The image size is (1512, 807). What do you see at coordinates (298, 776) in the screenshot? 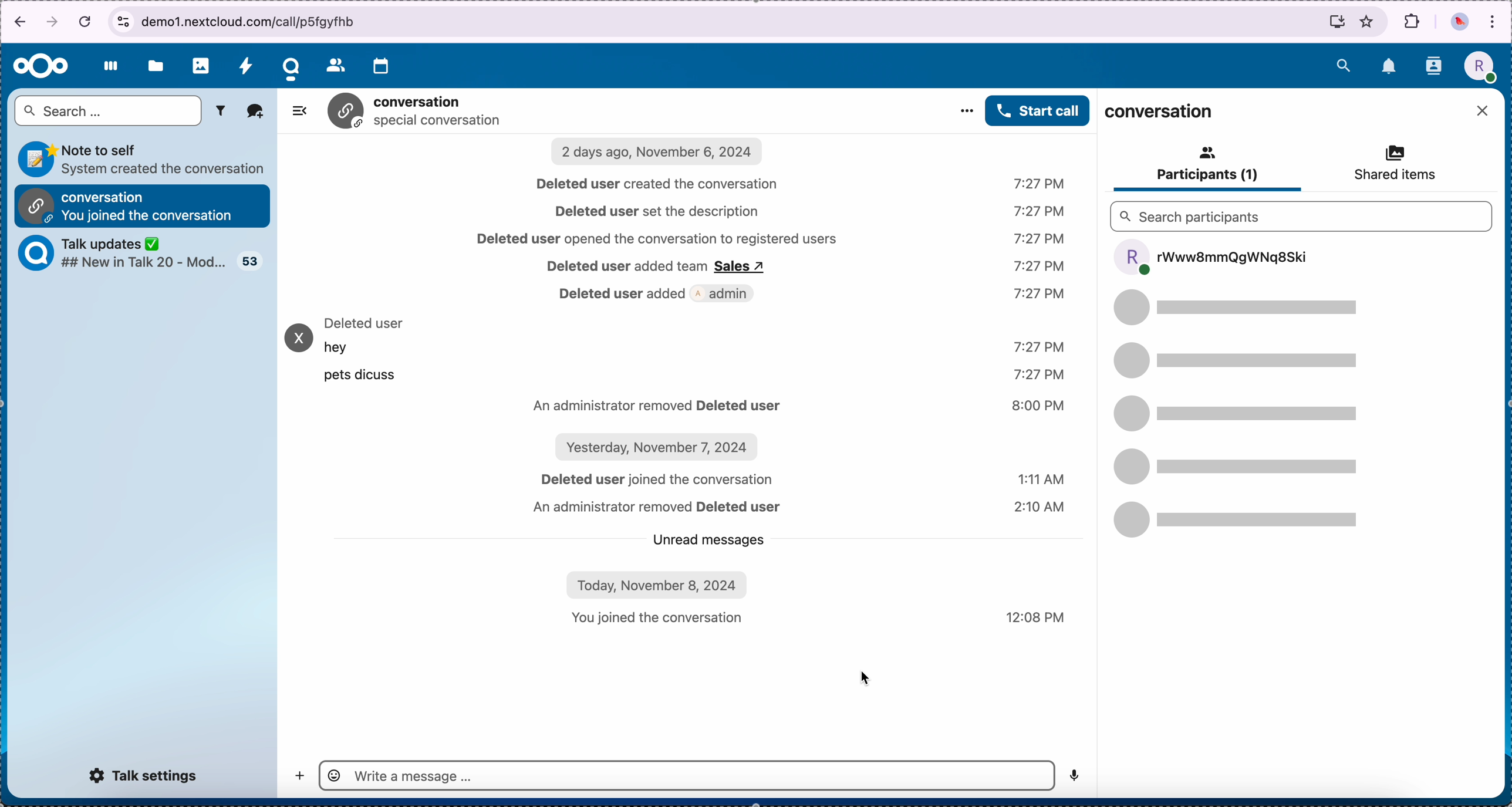
I see `add` at bounding box center [298, 776].